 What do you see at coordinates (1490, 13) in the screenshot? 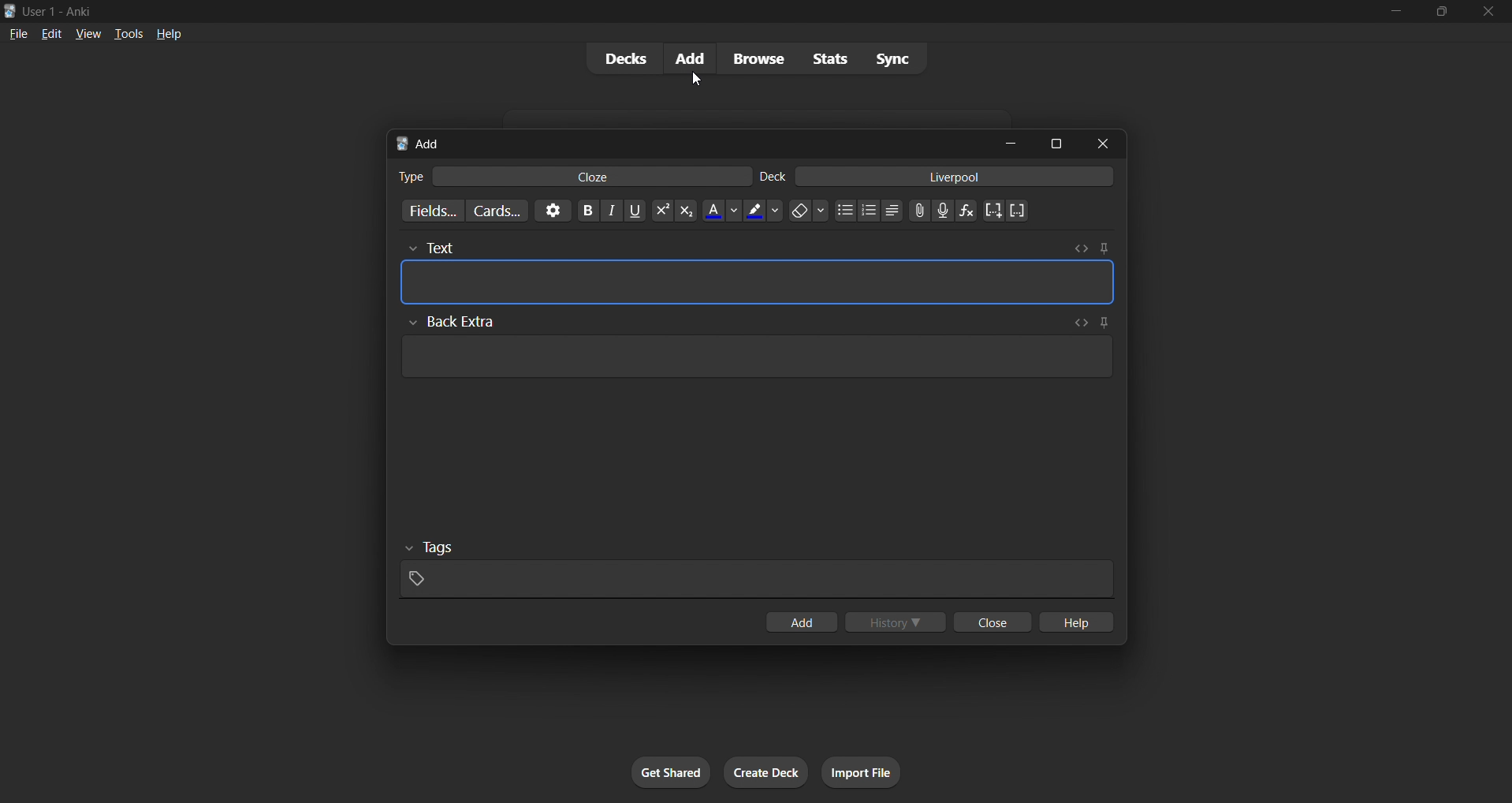
I see `close` at bounding box center [1490, 13].